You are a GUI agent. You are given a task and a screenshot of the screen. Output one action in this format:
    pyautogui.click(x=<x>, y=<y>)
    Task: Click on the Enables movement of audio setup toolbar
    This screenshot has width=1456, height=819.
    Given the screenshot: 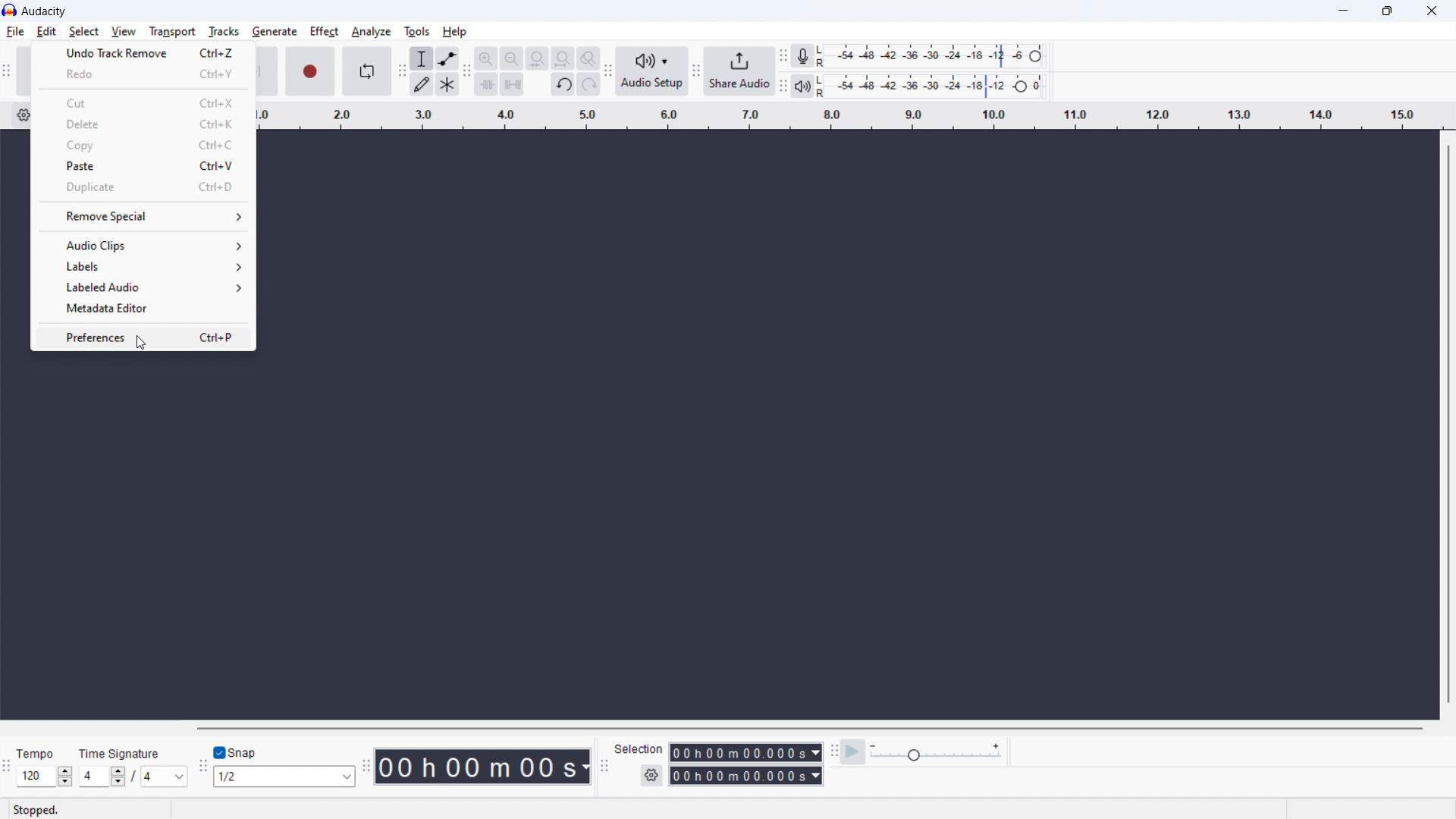 What is the action you would take?
    pyautogui.click(x=608, y=71)
    